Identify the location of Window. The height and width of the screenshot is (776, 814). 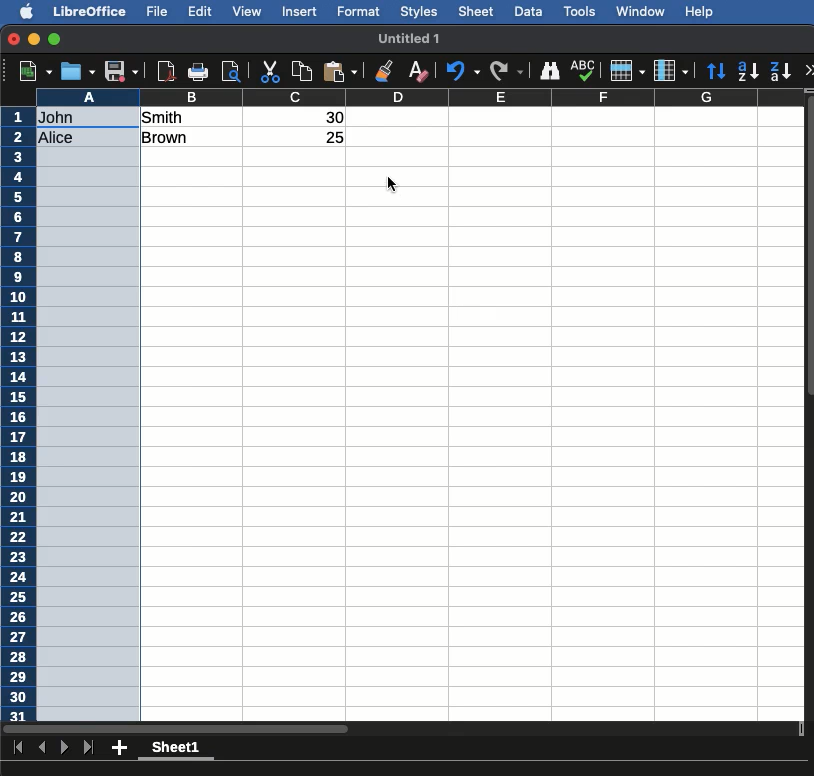
(644, 12).